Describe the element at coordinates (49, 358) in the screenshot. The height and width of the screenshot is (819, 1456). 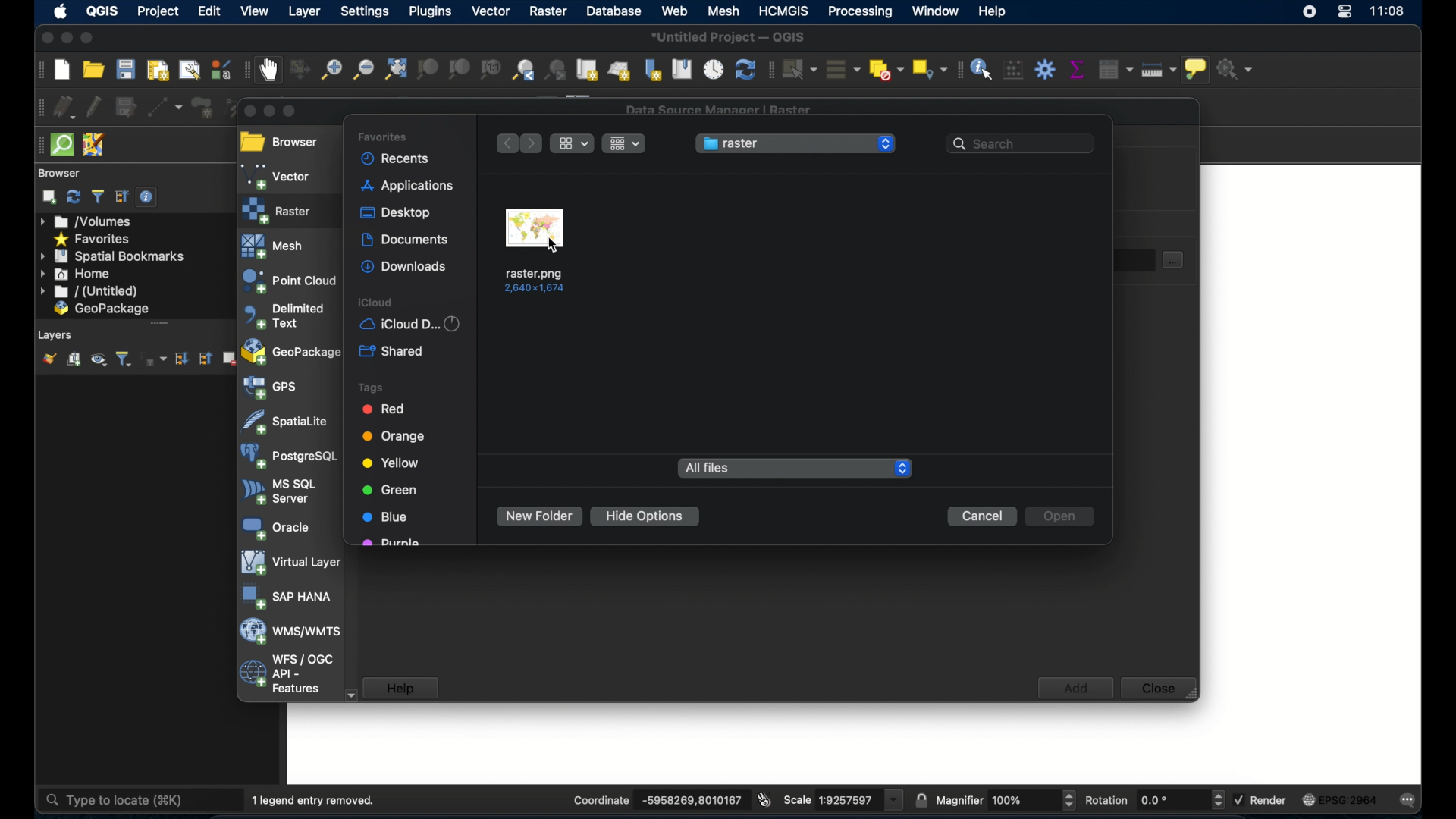
I see `open layer styling panel` at that location.